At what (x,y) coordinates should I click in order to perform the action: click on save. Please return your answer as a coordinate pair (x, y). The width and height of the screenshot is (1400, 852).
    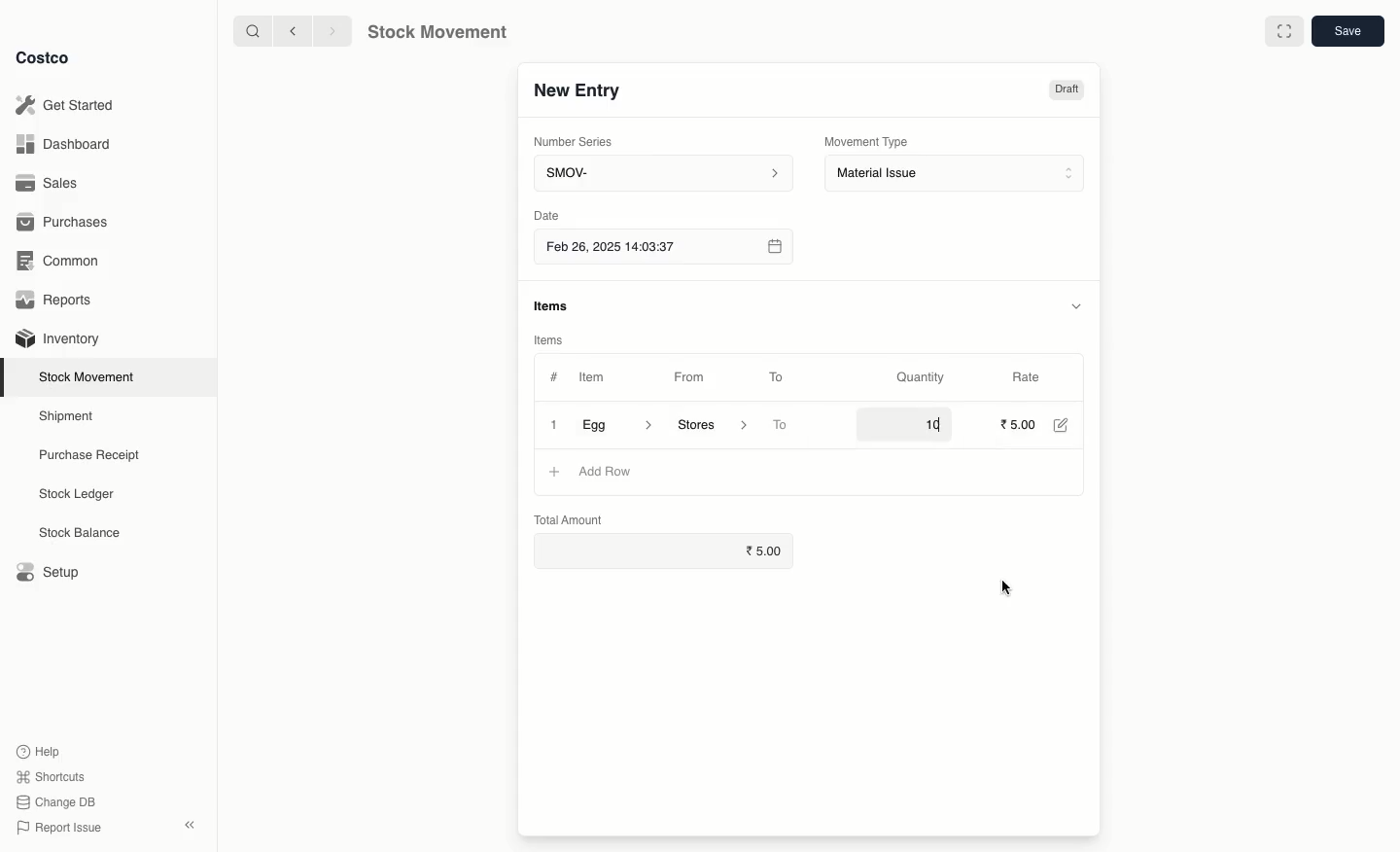
    Looking at the image, I should click on (1347, 30).